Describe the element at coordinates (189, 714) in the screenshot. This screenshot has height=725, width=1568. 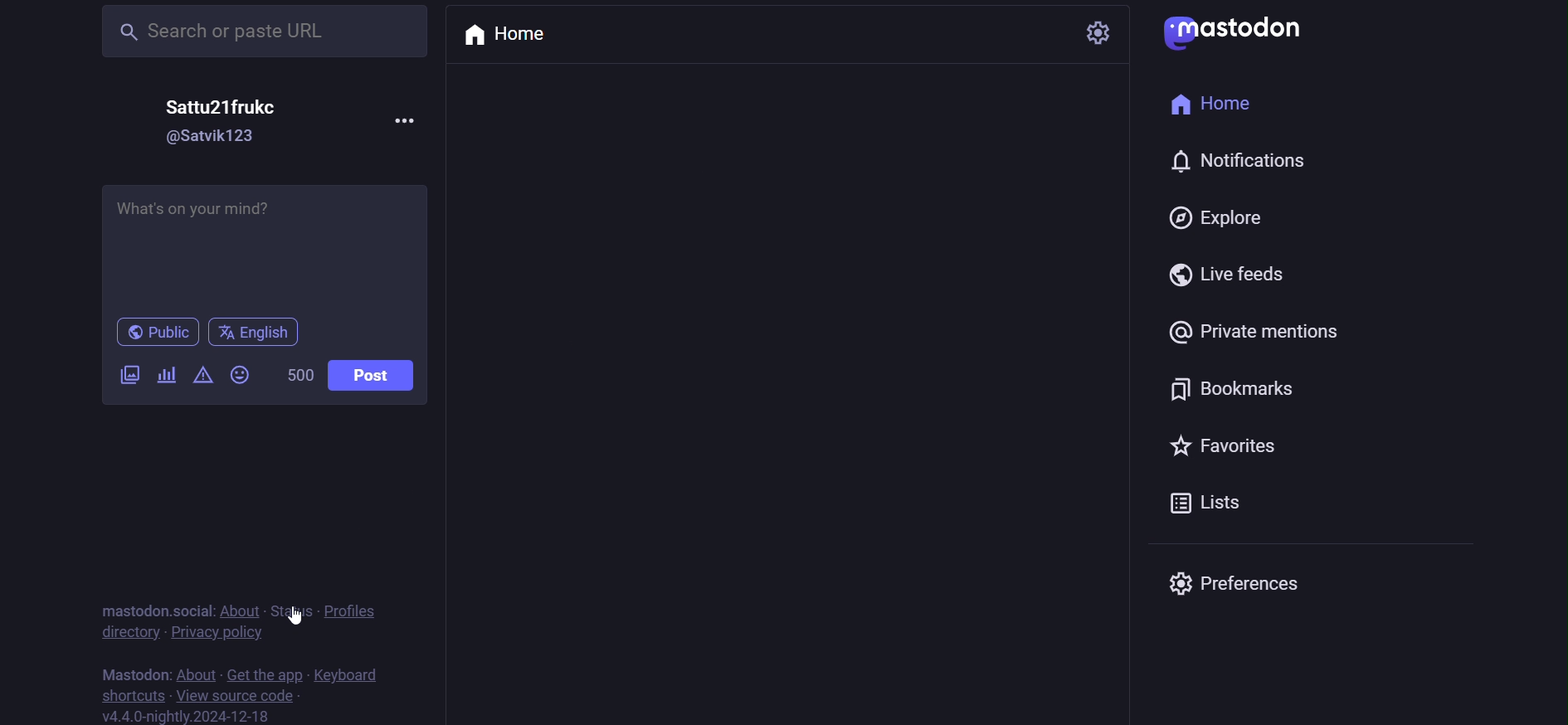
I see `version` at that location.